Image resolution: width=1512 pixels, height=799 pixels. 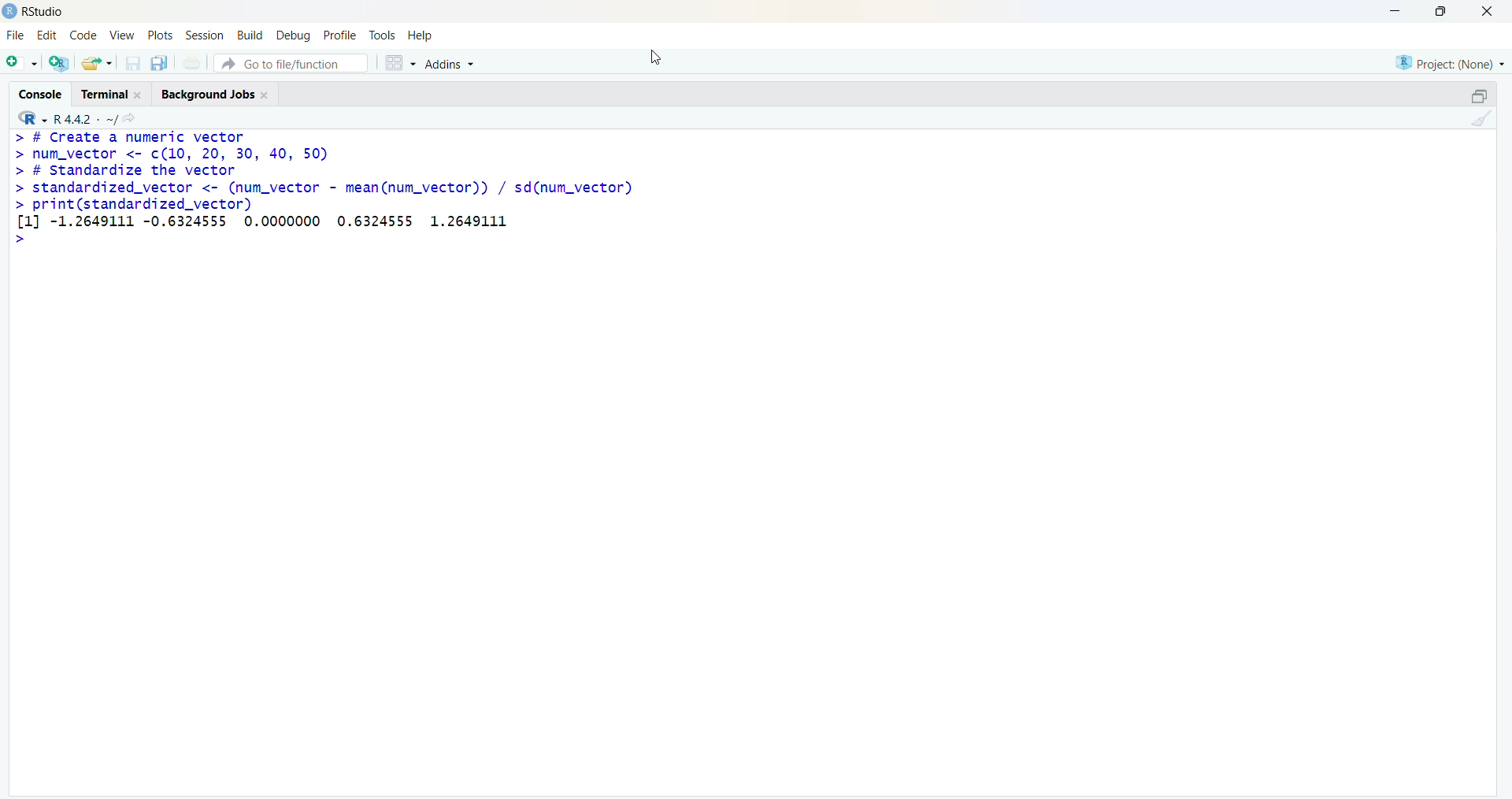 I want to click on addins, so click(x=450, y=65).